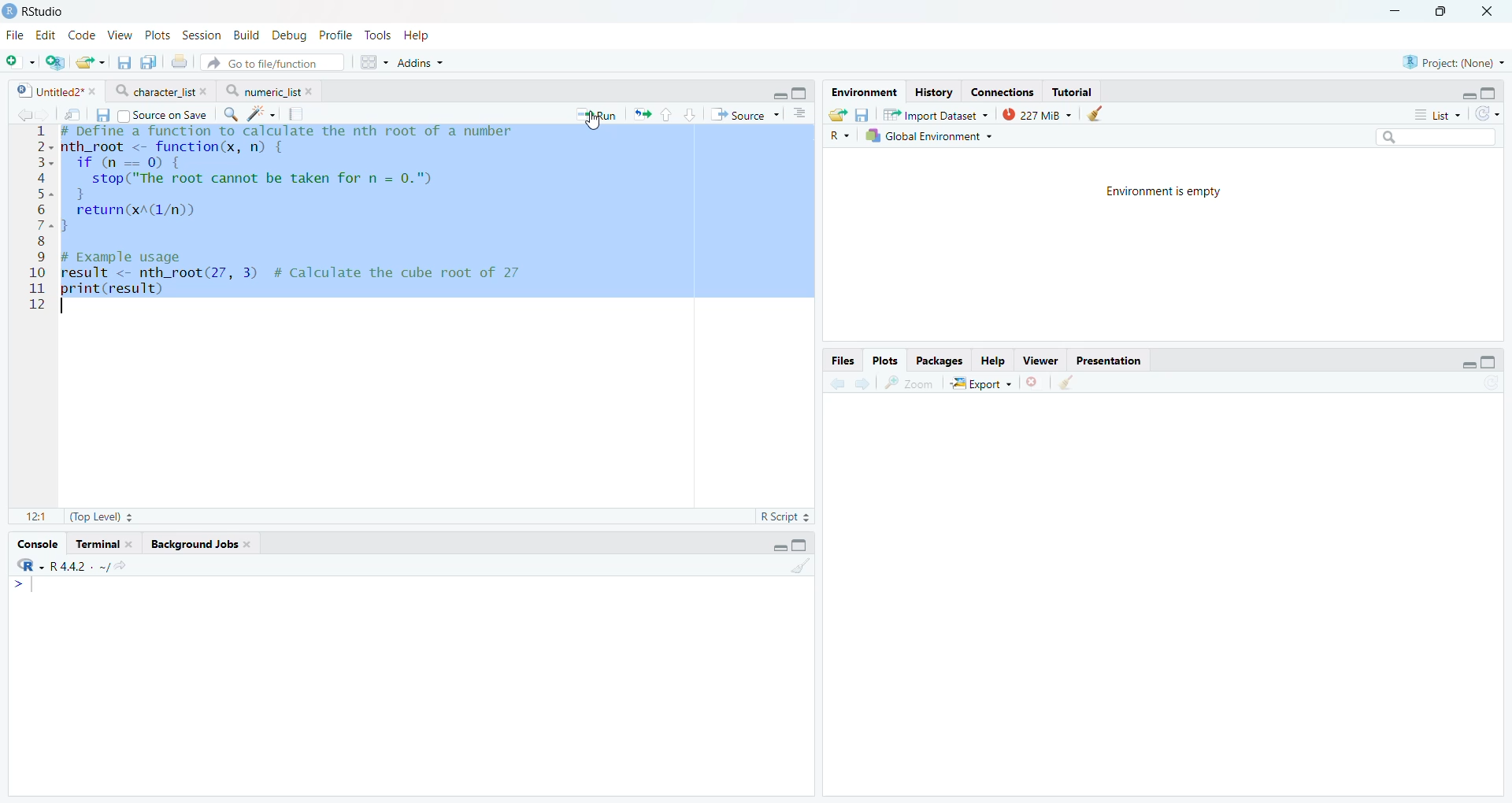 This screenshot has height=803, width=1512. What do you see at coordinates (47, 34) in the screenshot?
I see `Edit` at bounding box center [47, 34].